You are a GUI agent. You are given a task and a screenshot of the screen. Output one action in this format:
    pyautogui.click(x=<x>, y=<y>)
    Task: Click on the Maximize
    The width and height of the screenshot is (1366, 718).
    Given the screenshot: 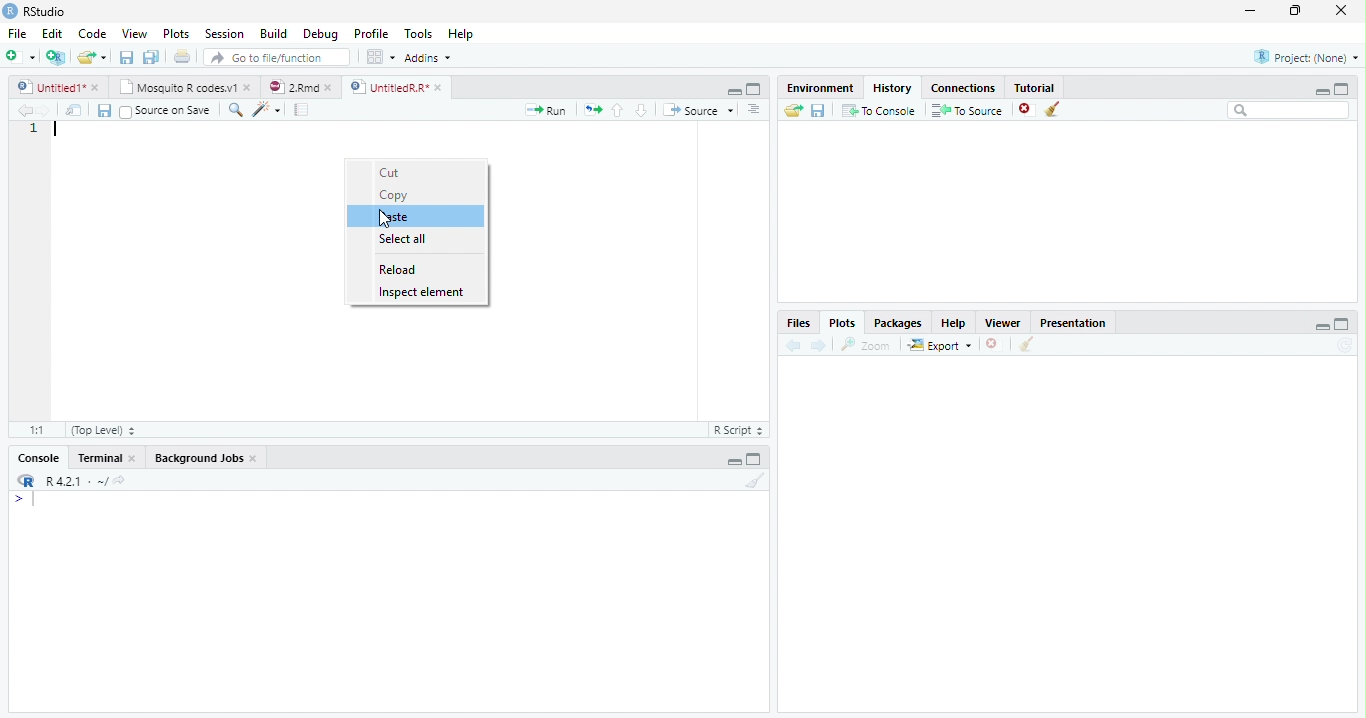 What is the action you would take?
    pyautogui.click(x=1342, y=325)
    